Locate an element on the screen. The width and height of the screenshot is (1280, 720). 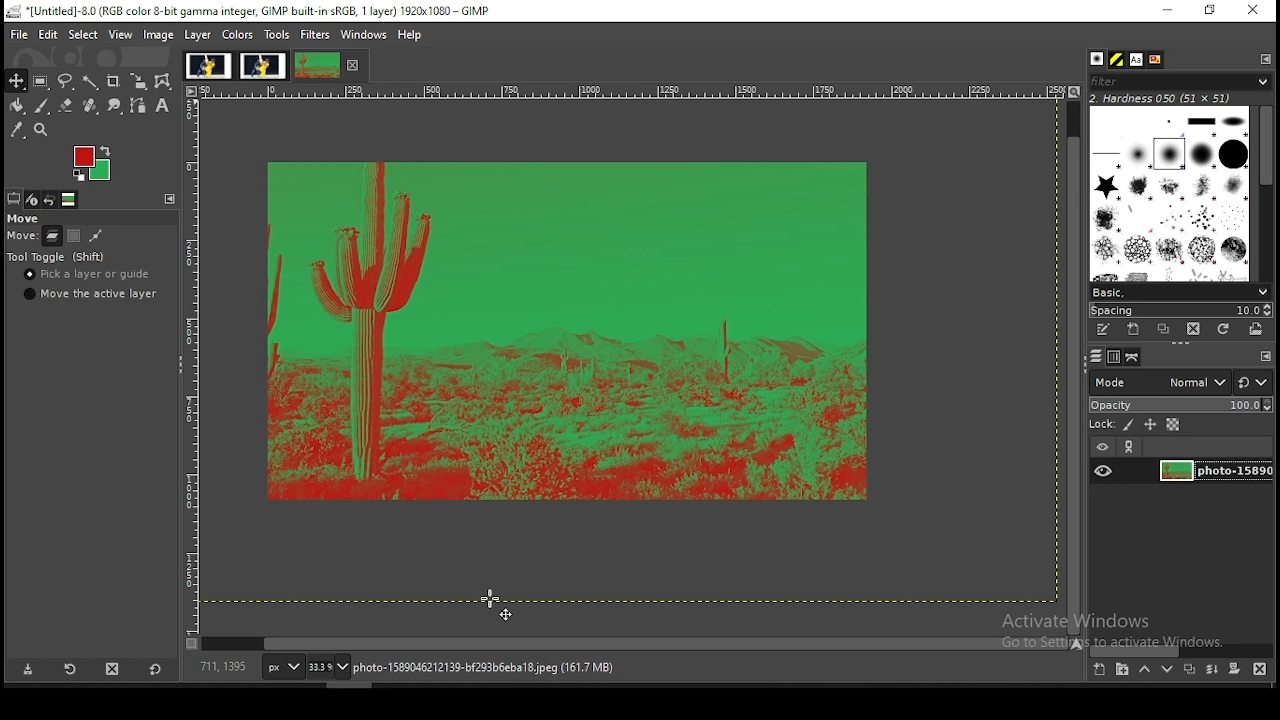
move is located at coordinates (21, 237).